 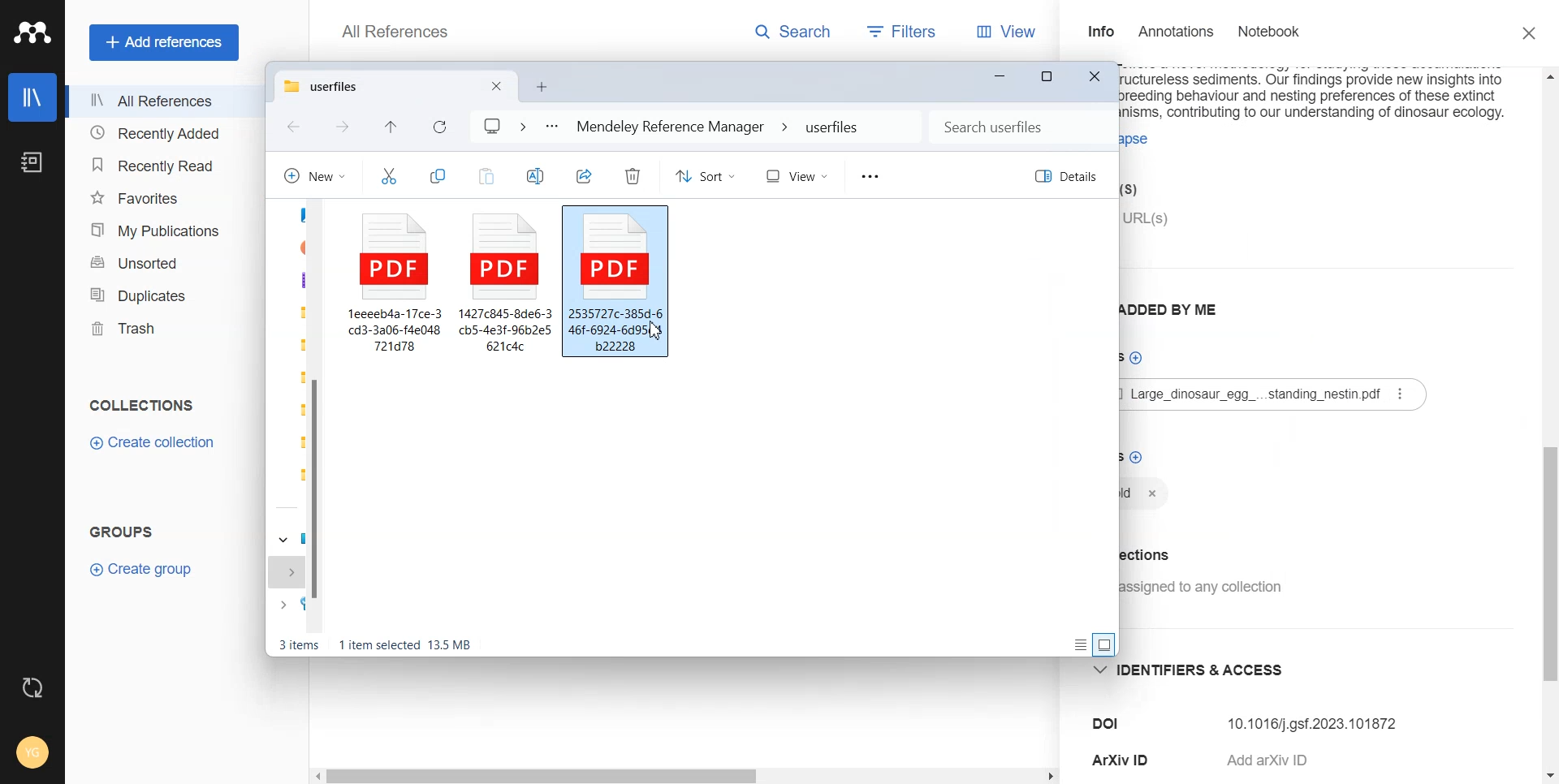 What do you see at coordinates (312, 489) in the screenshot?
I see `Vertical scroll bar` at bounding box center [312, 489].